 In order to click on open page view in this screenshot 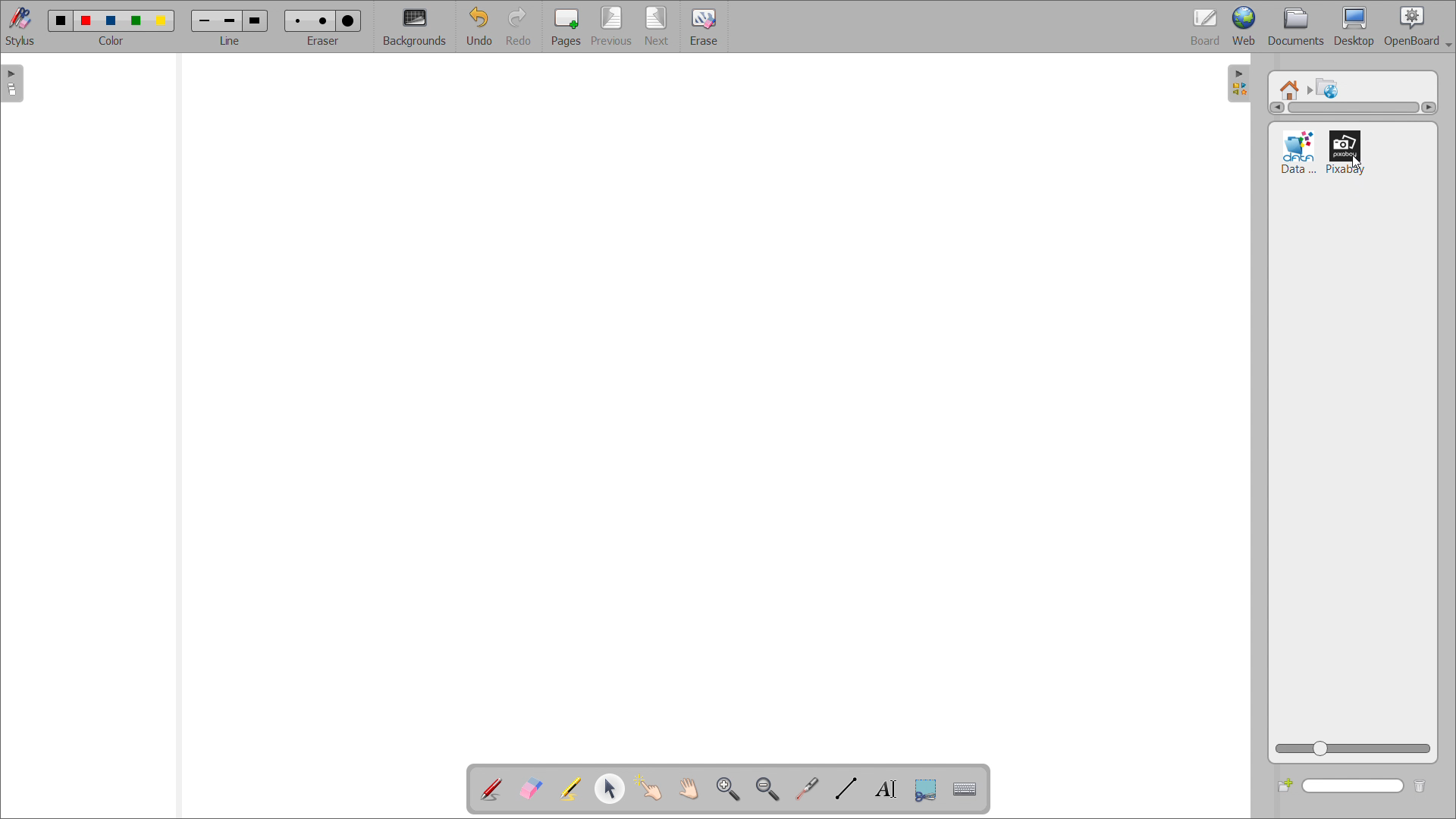, I will do `click(12, 83)`.